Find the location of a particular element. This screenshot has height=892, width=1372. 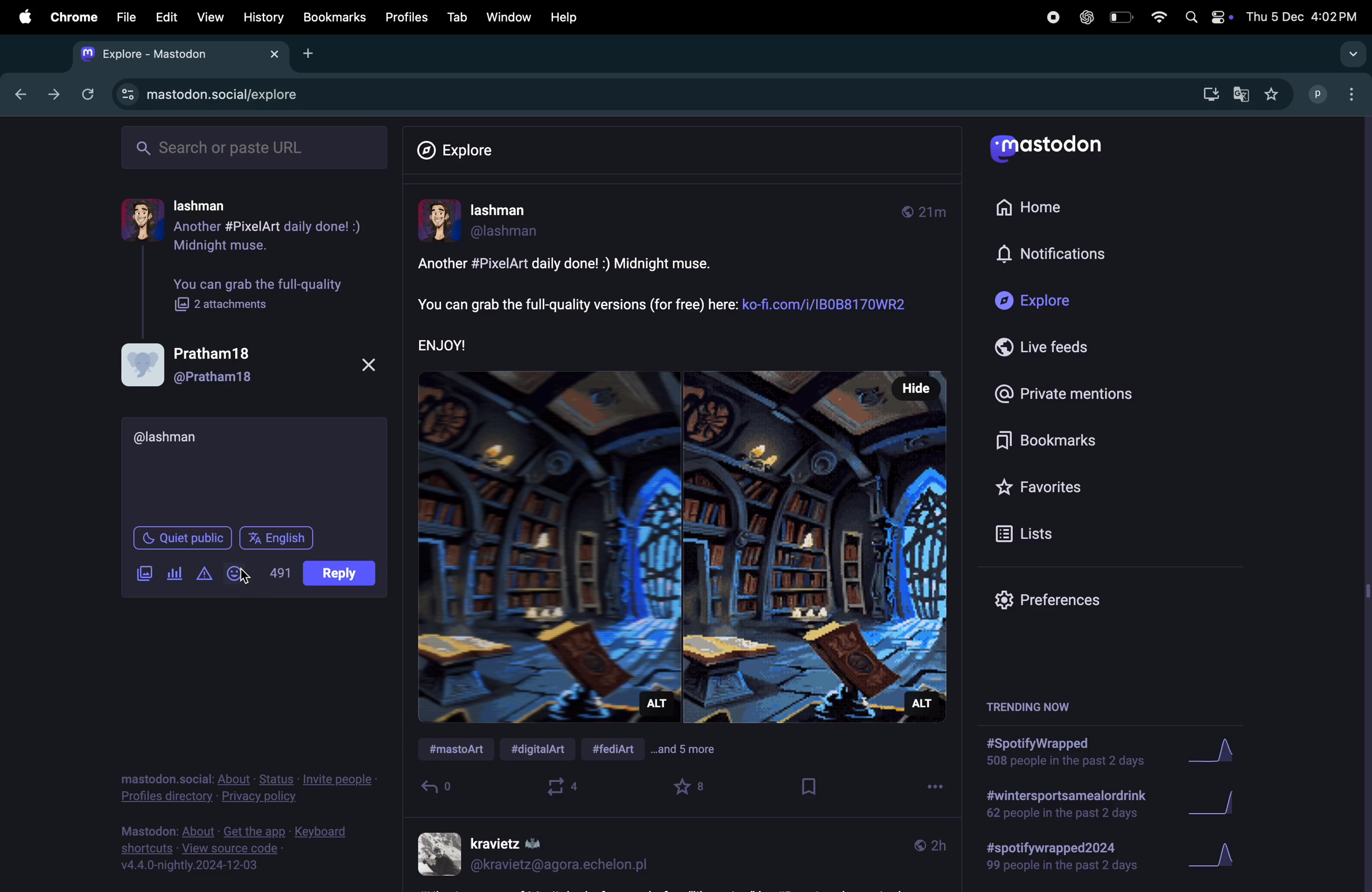

battery is located at coordinates (1120, 16).